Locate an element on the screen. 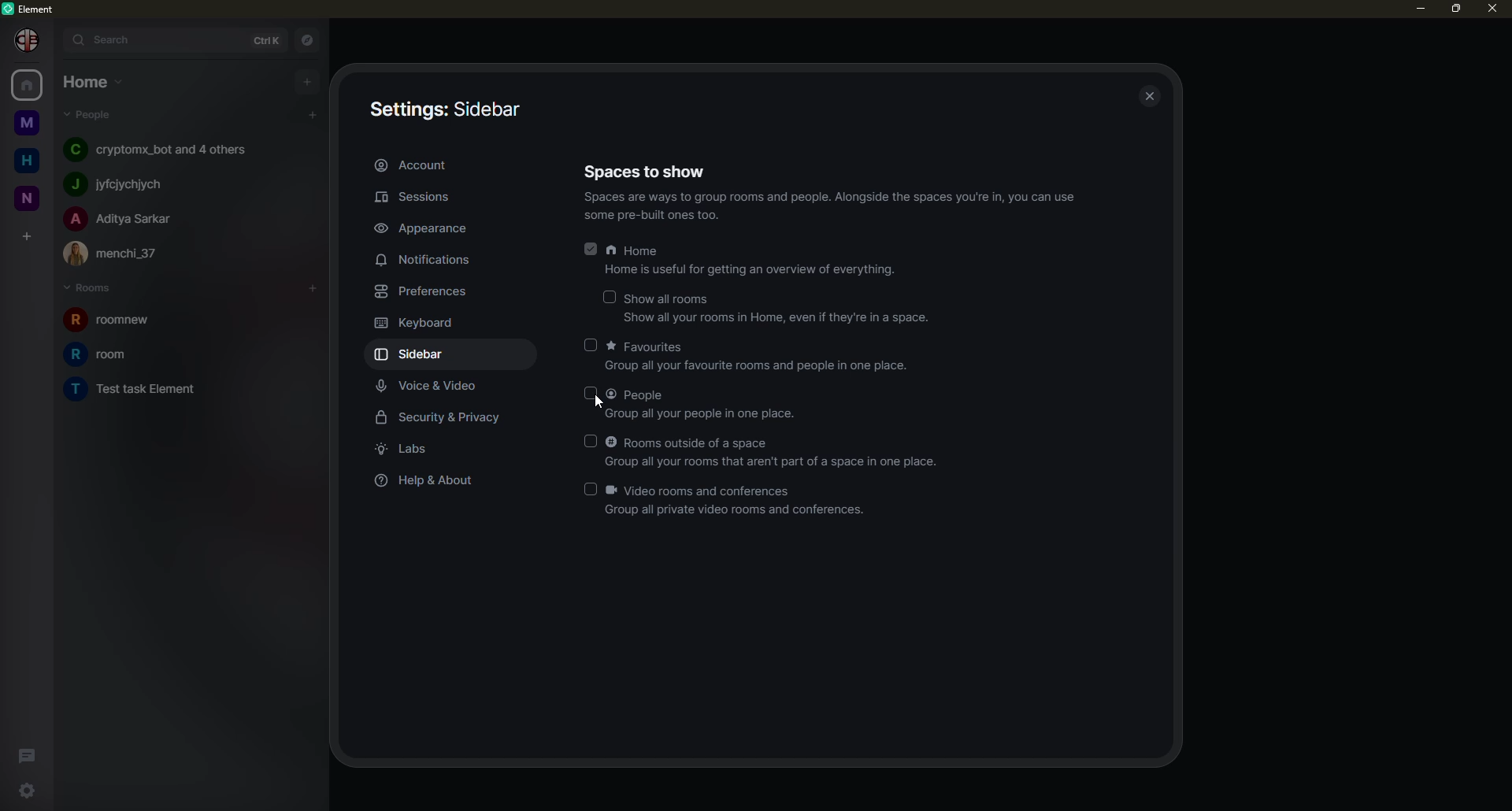 The image size is (1512, 811). click to enable is located at coordinates (611, 295).